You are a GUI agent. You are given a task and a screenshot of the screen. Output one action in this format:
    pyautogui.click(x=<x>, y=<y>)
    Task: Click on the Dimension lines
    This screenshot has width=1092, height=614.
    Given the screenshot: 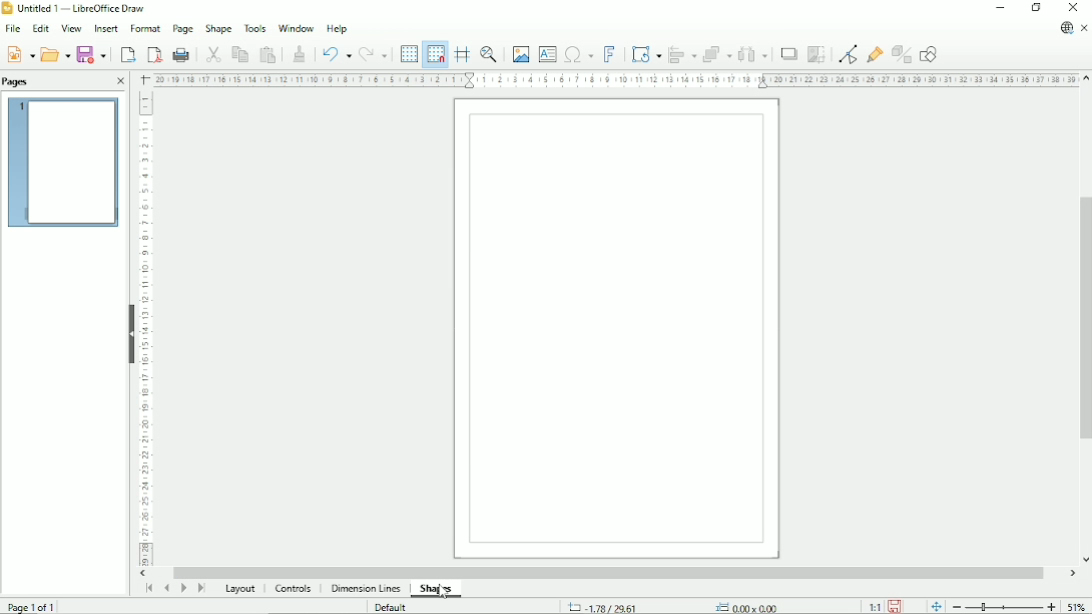 What is the action you would take?
    pyautogui.click(x=367, y=589)
    